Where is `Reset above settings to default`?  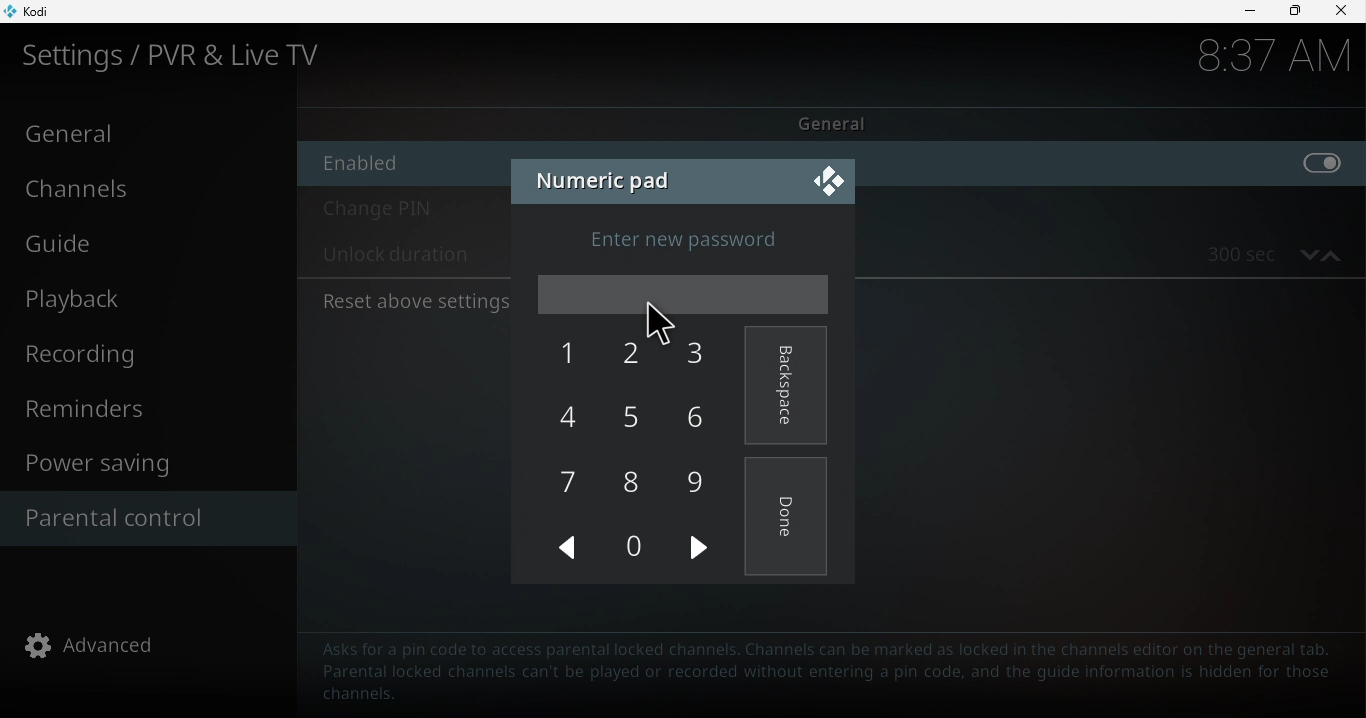 Reset above settings to default is located at coordinates (414, 302).